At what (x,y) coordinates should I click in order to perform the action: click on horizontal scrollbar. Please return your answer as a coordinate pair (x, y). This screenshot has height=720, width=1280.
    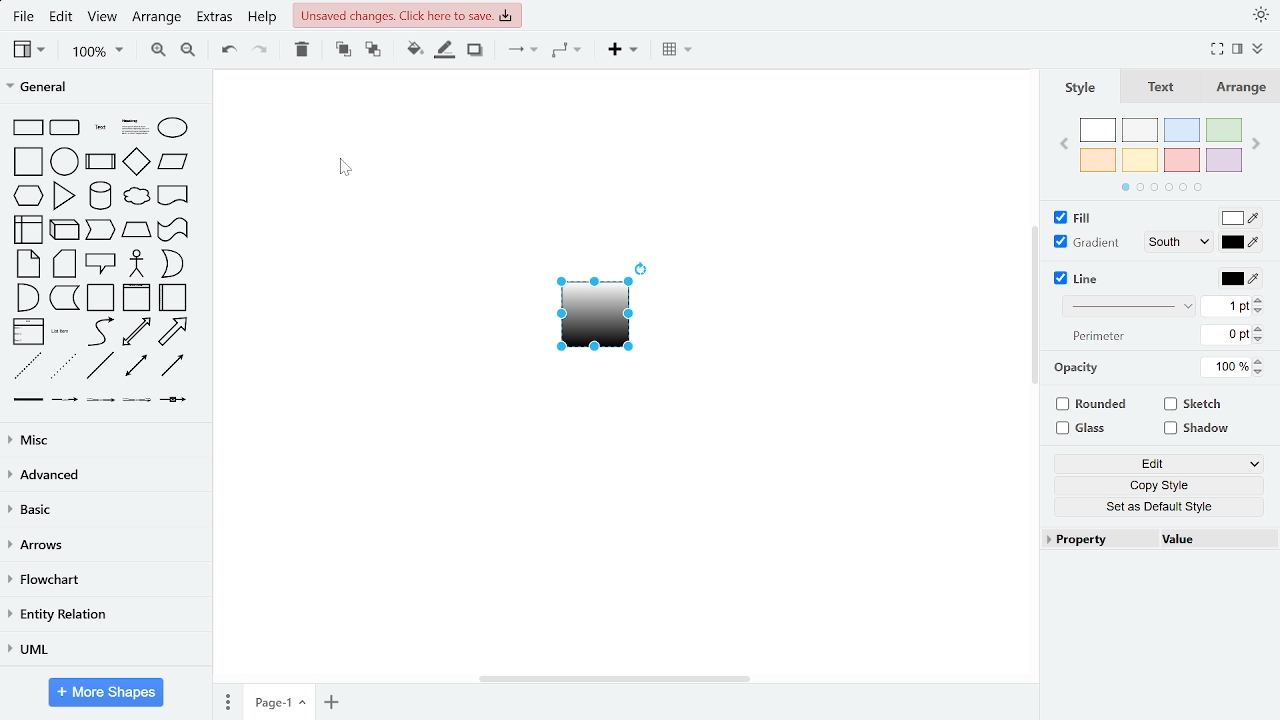
    Looking at the image, I should click on (614, 678).